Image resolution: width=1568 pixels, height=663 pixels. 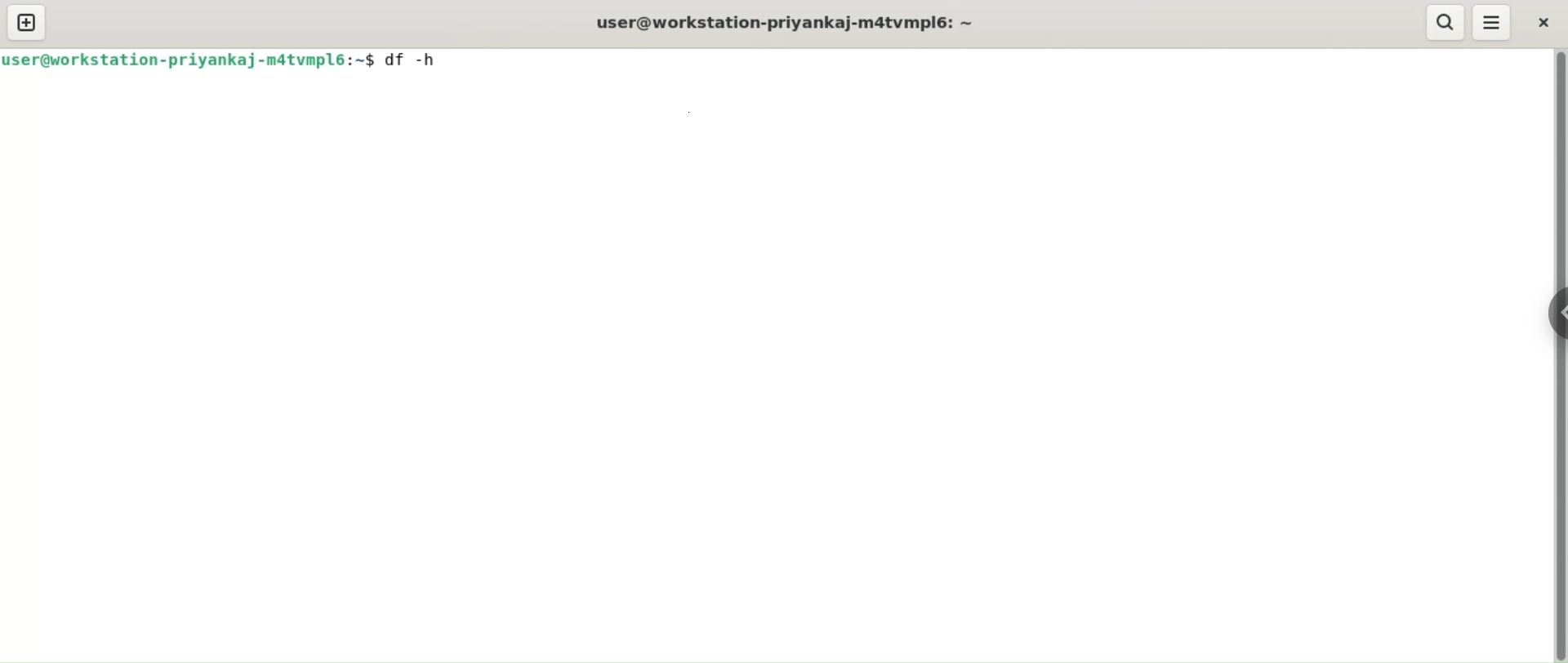 What do you see at coordinates (1558, 356) in the screenshot?
I see `vertical scroll bar` at bounding box center [1558, 356].